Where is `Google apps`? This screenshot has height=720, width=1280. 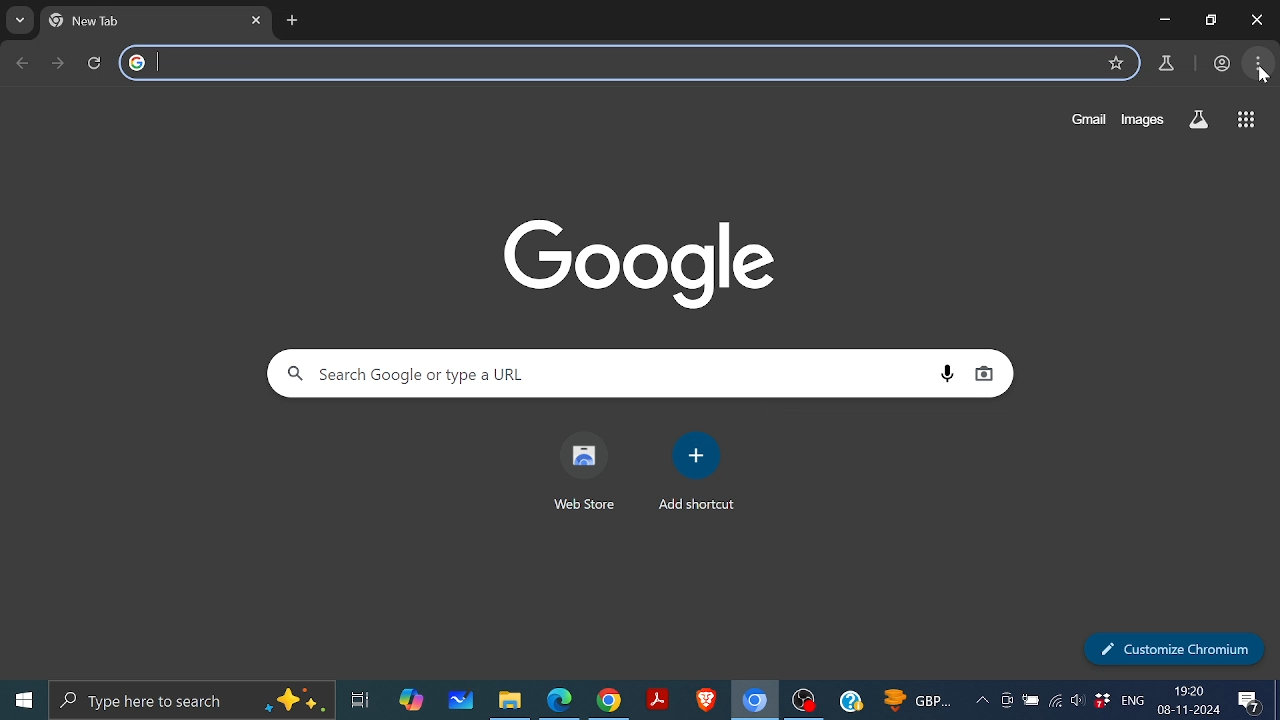 Google apps is located at coordinates (1247, 121).